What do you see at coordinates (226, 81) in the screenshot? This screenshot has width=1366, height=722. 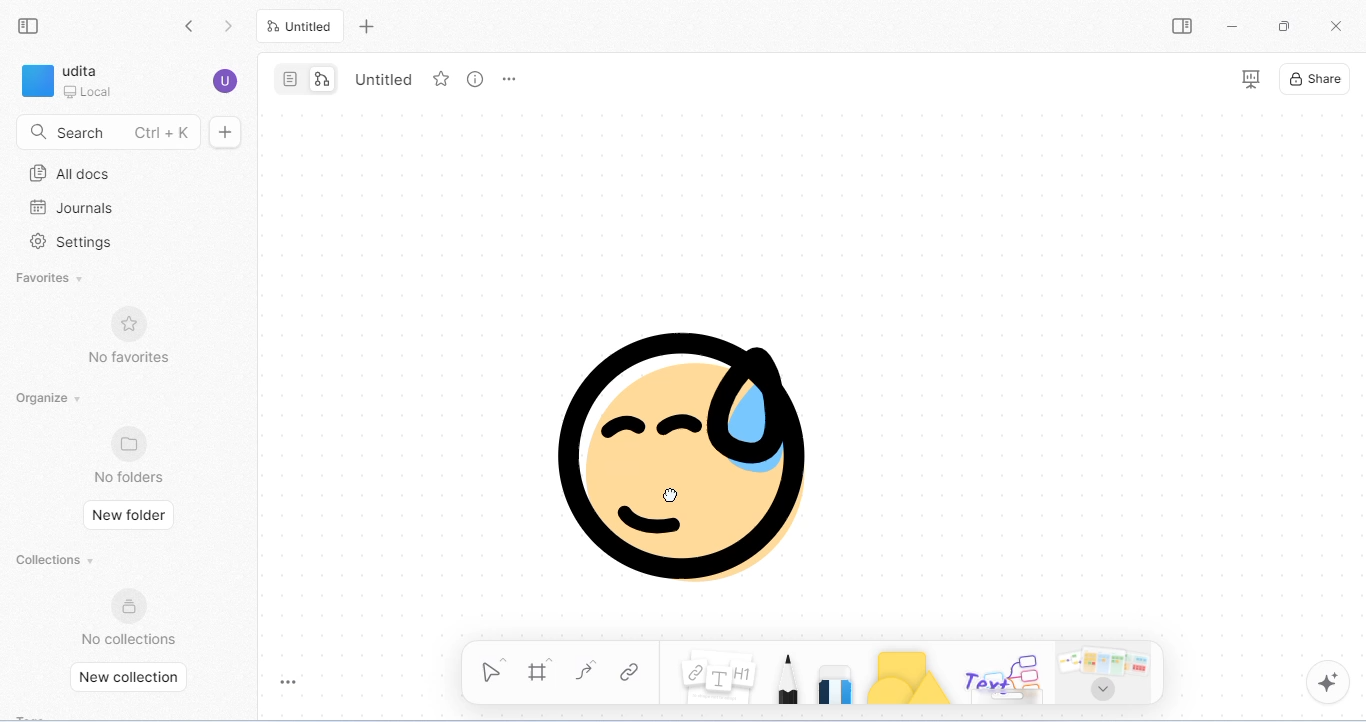 I see `account` at bounding box center [226, 81].